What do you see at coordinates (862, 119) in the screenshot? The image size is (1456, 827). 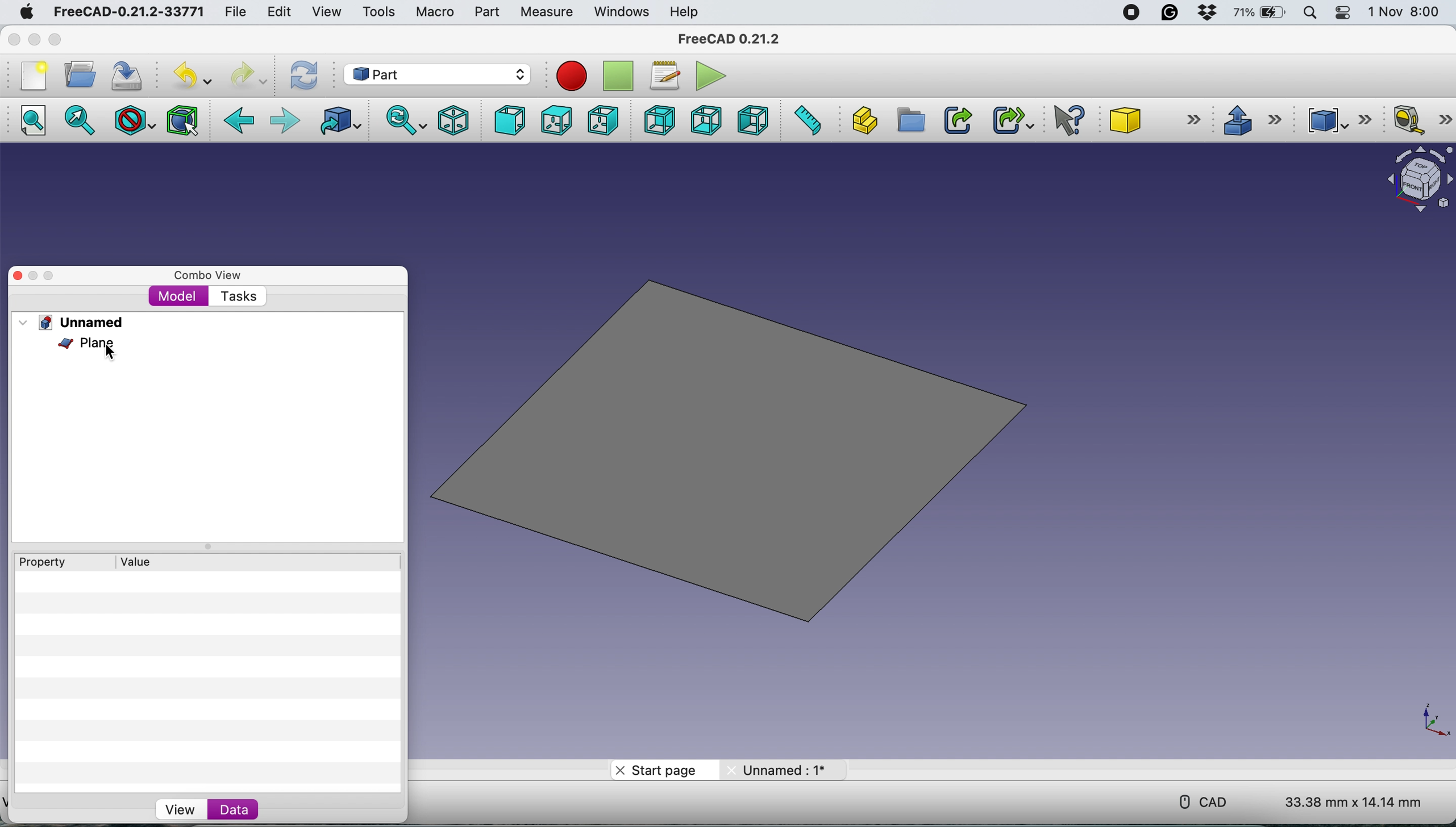 I see `create part` at bounding box center [862, 119].